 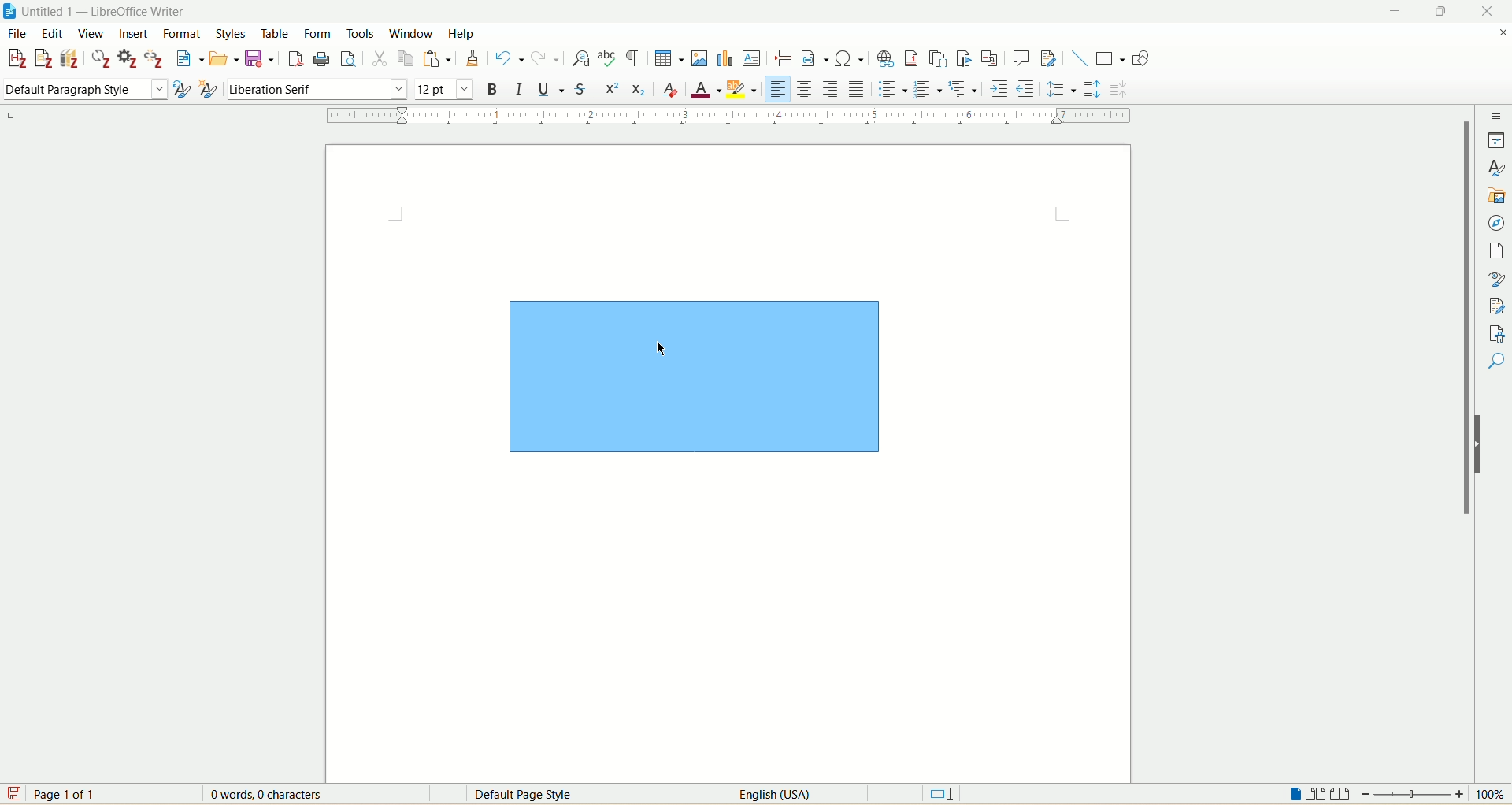 I want to click on hide, so click(x=1477, y=446).